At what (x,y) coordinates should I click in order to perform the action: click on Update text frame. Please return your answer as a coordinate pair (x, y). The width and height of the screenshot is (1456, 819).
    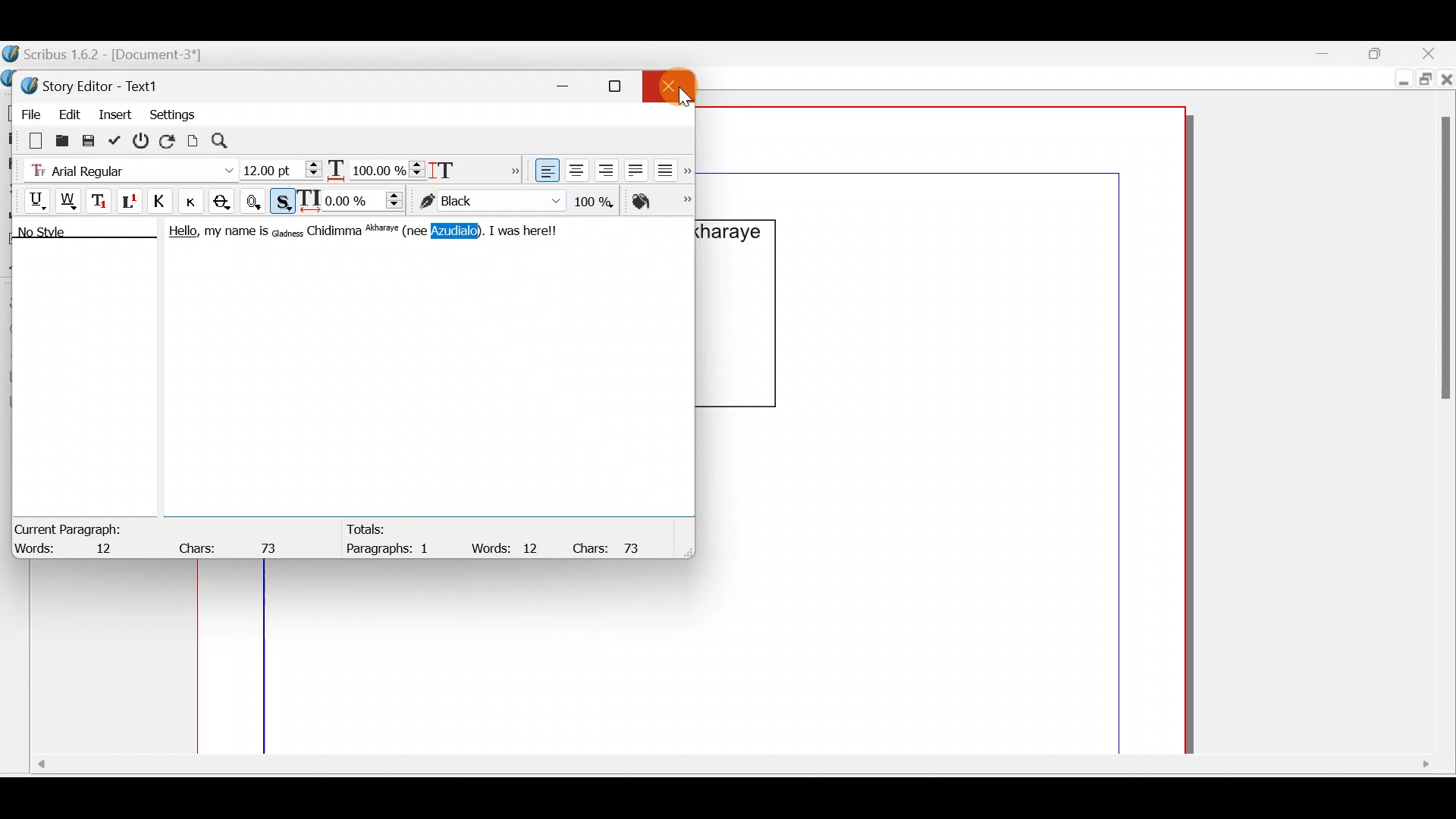
    Looking at the image, I should click on (193, 139).